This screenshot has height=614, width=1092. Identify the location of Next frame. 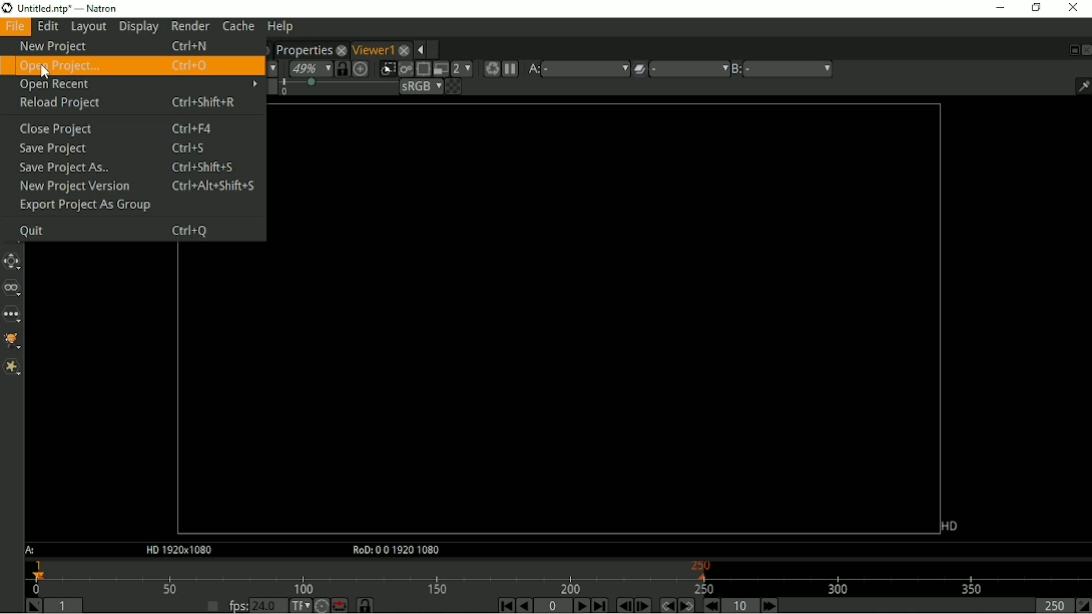
(643, 605).